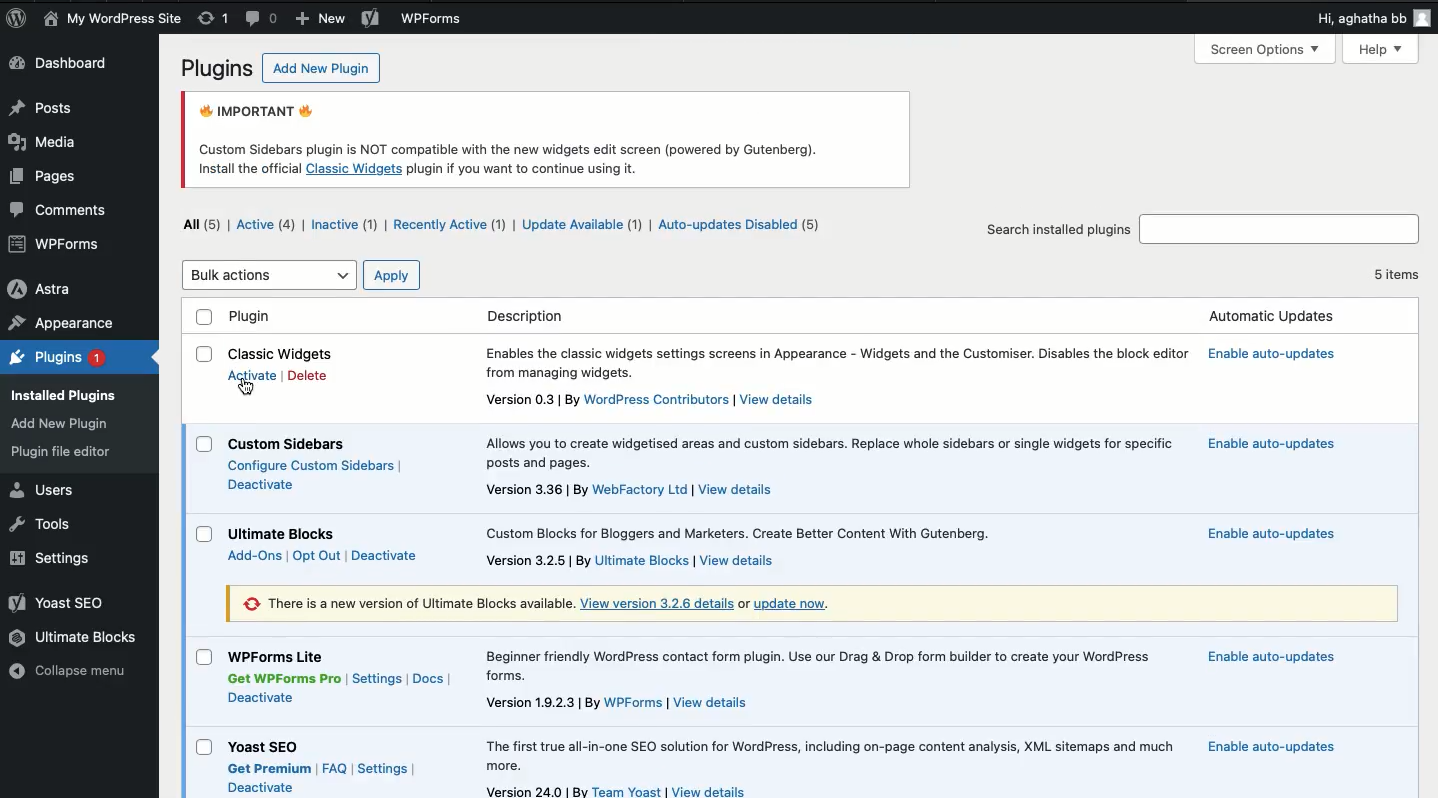 The height and width of the screenshot is (798, 1438). What do you see at coordinates (713, 704) in the screenshot?
I see `view details` at bounding box center [713, 704].